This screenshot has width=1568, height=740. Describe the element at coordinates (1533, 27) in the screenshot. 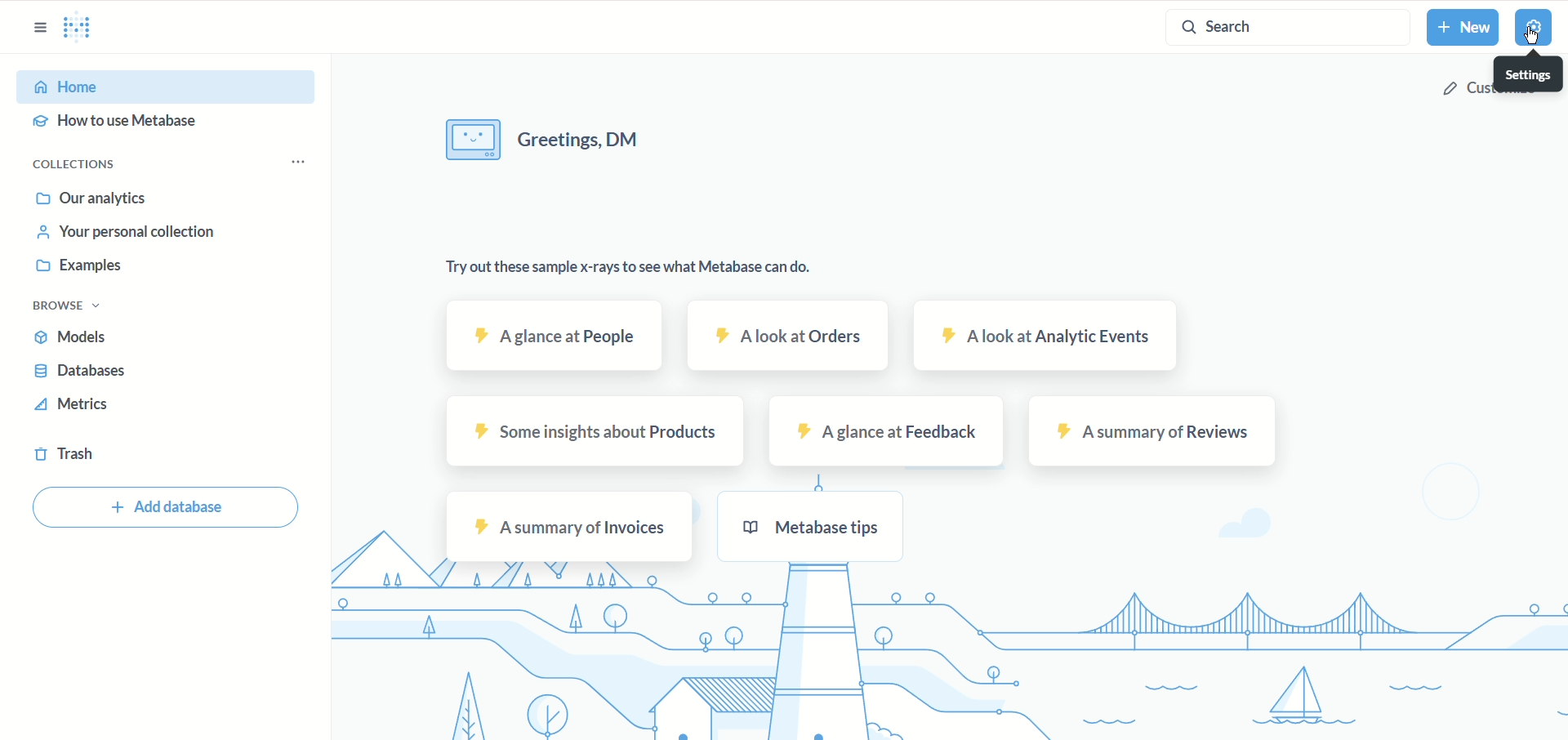

I see `Settings` at that location.